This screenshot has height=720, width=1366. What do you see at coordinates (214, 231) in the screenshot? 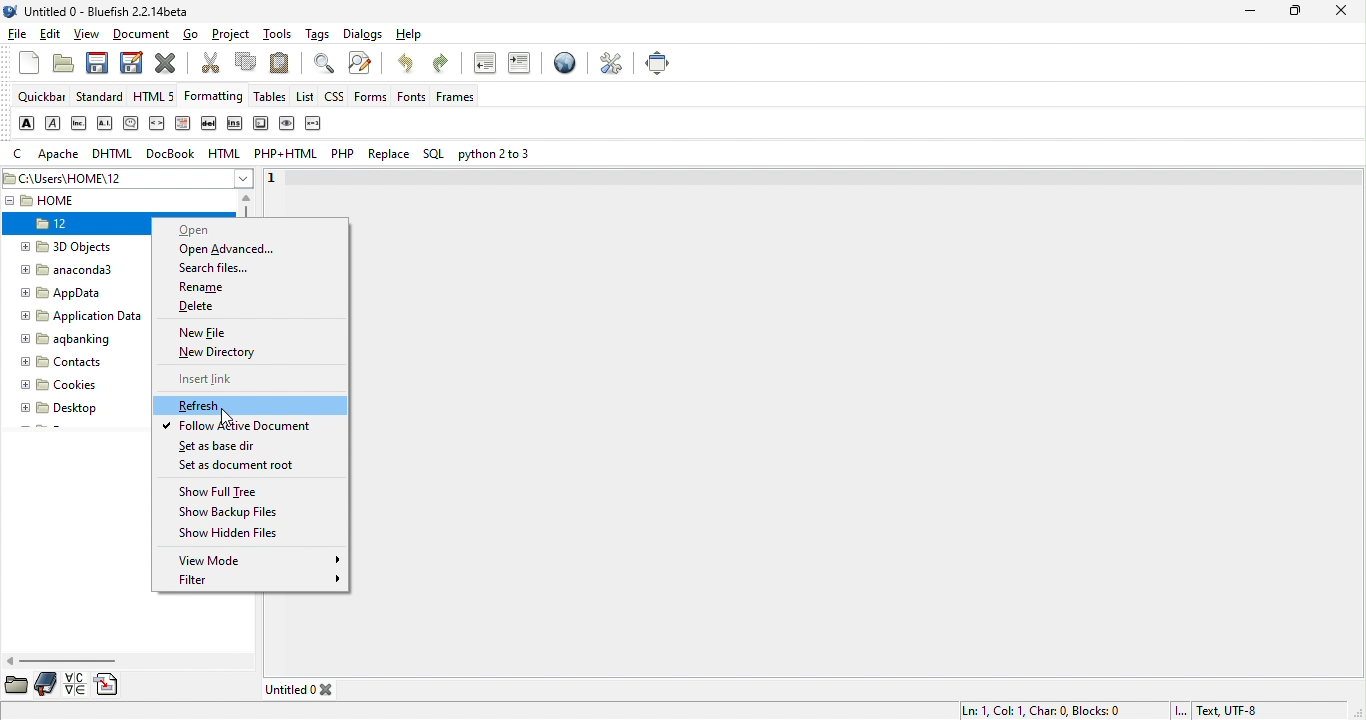
I see `open` at bounding box center [214, 231].